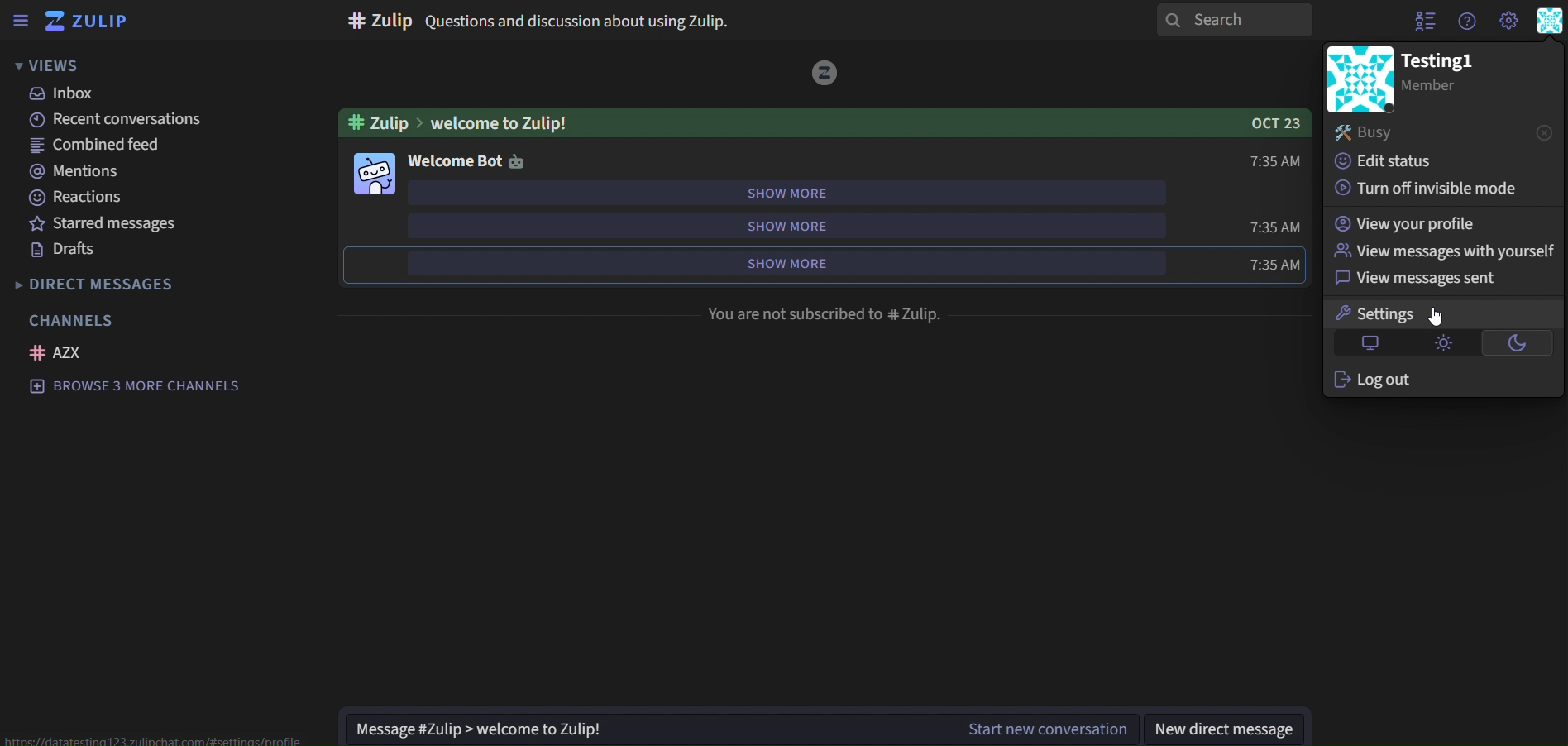 The image size is (1568, 746). Describe the element at coordinates (1394, 163) in the screenshot. I see `edit status` at that location.